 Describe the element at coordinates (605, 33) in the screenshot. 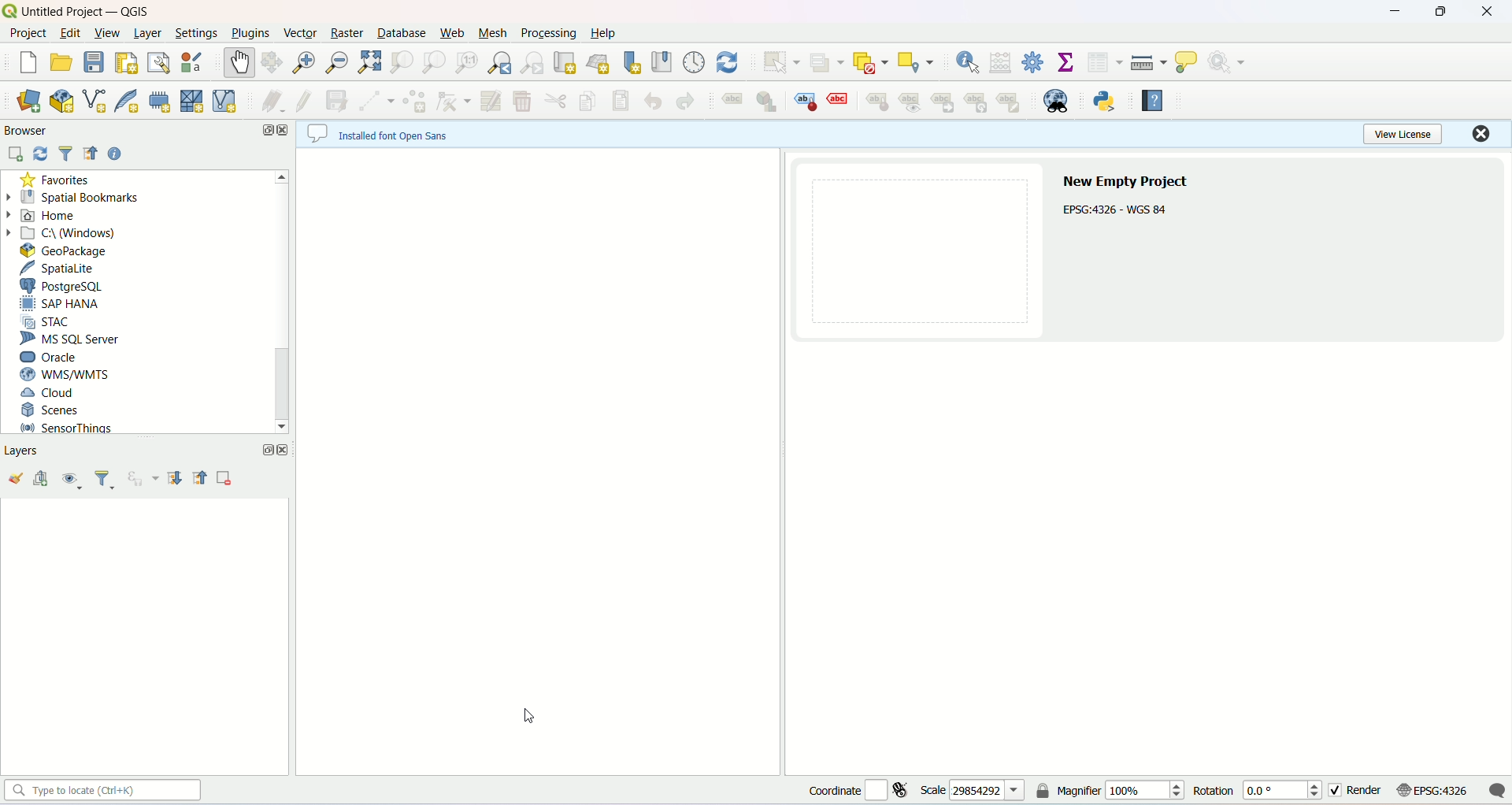

I see `help` at that location.